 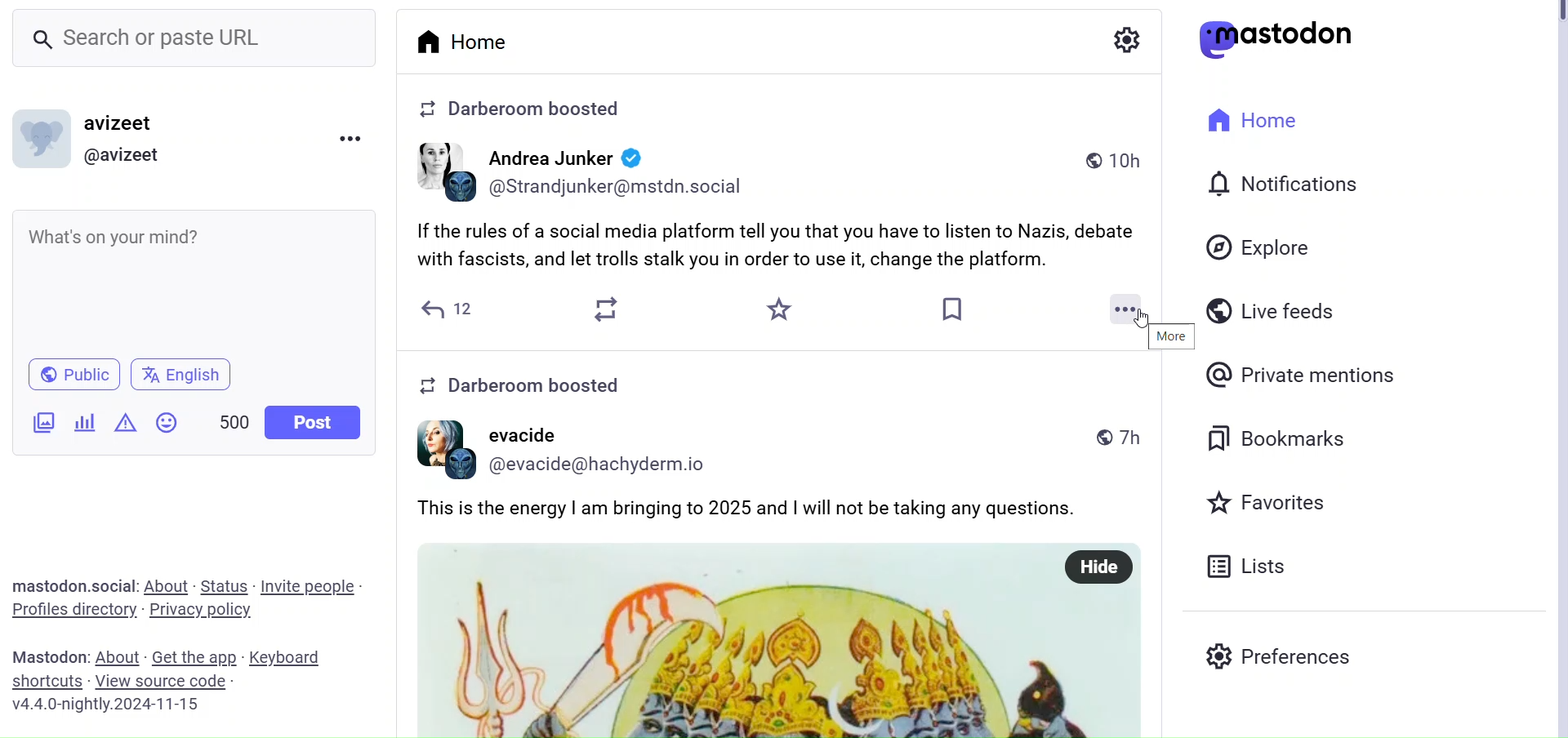 What do you see at coordinates (1284, 656) in the screenshot?
I see `Preferences` at bounding box center [1284, 656].